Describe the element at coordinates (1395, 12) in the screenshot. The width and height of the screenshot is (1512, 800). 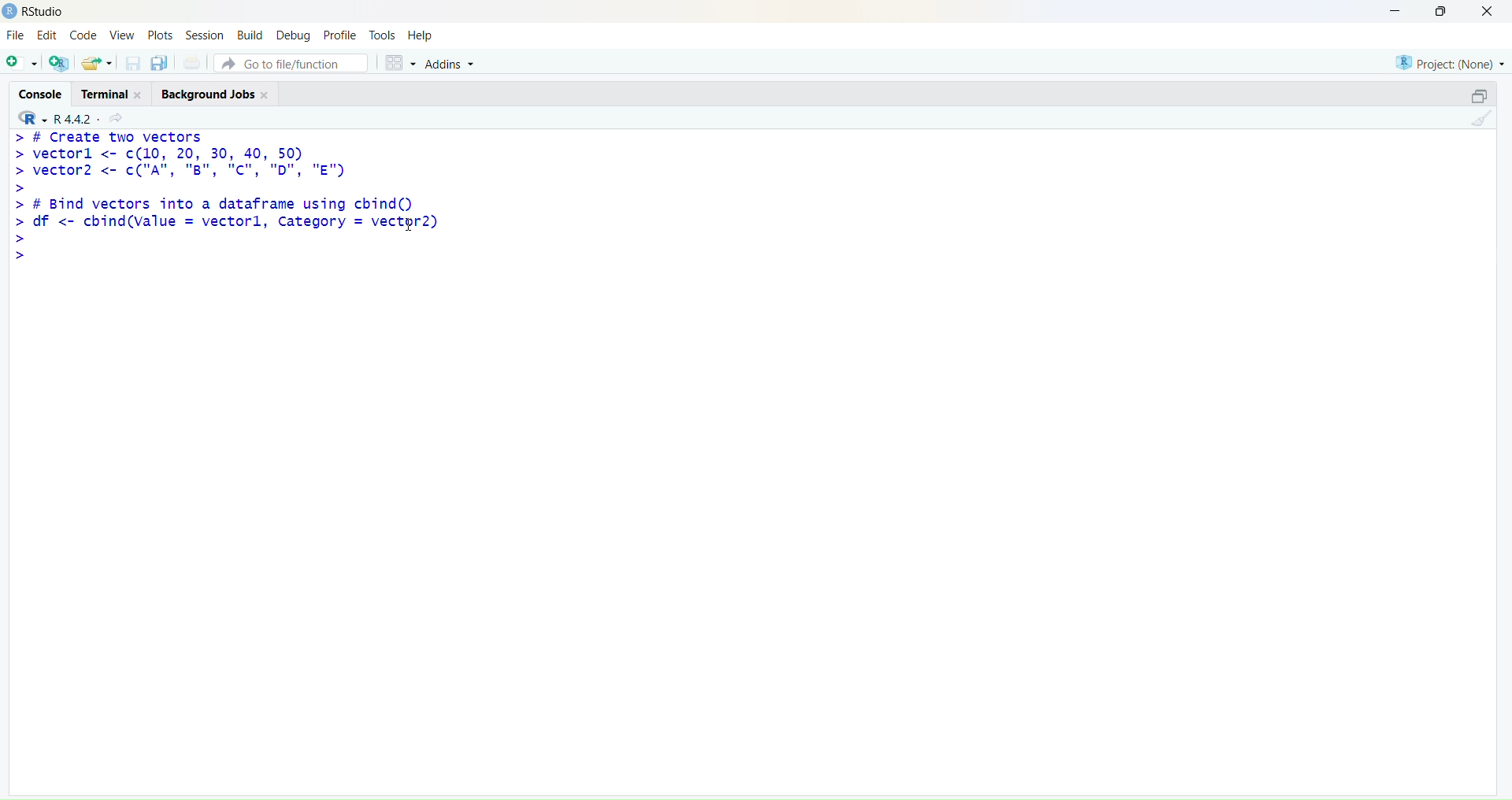
I see `Minimize` at that location.